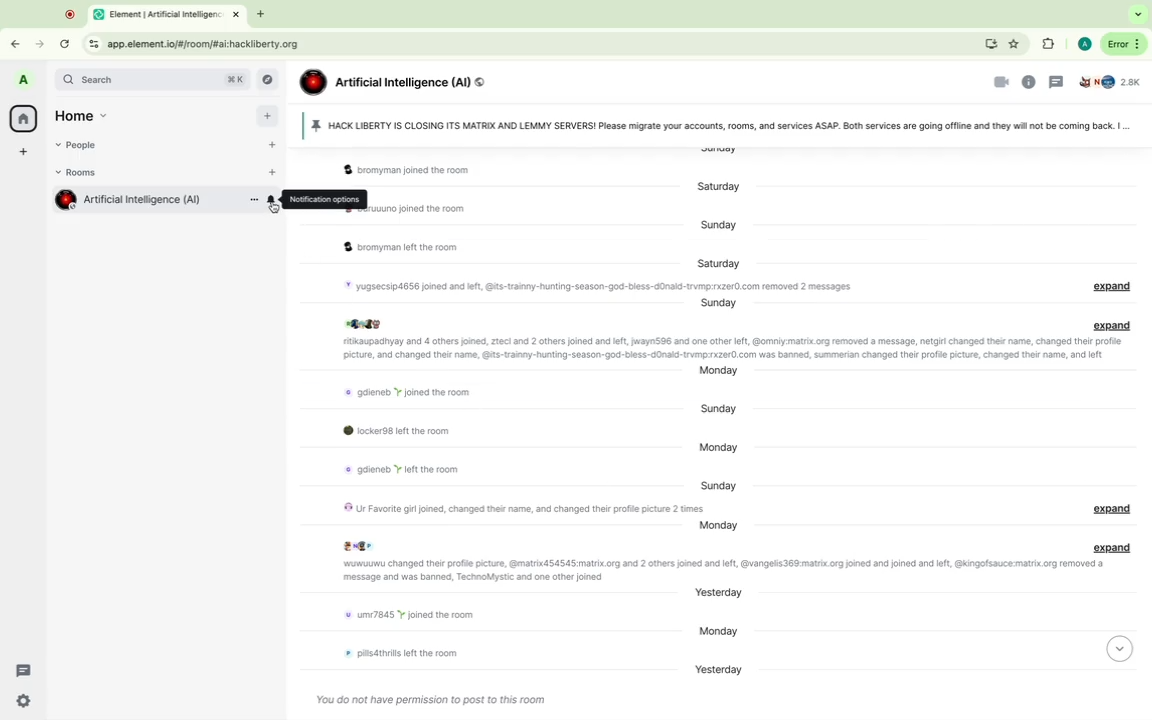  I want to click on Day, so click(717, 633).